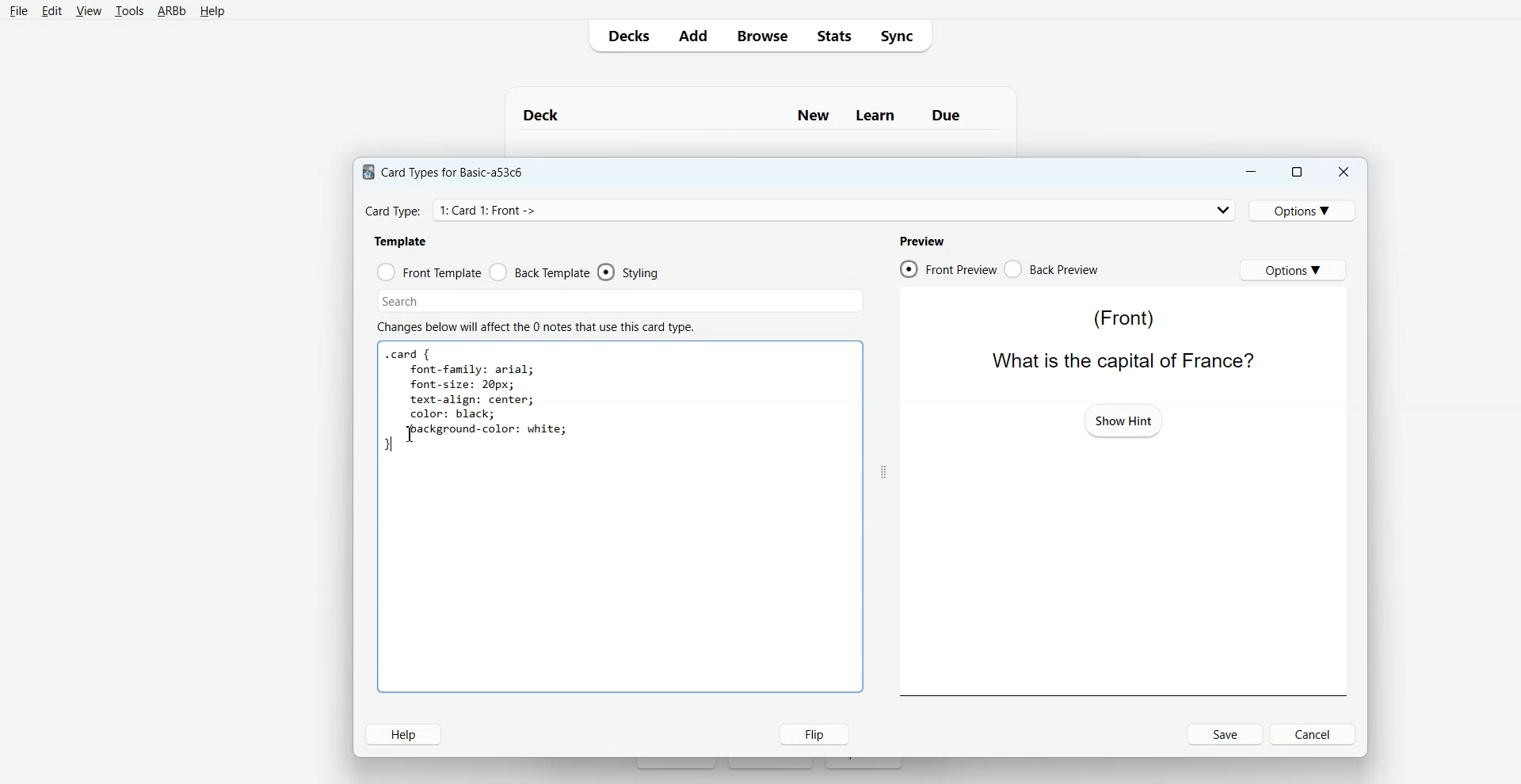 This screenshot has width=1521, height=784. I want to click on (Front)
What is the capital of France?, so click(1118, 338).